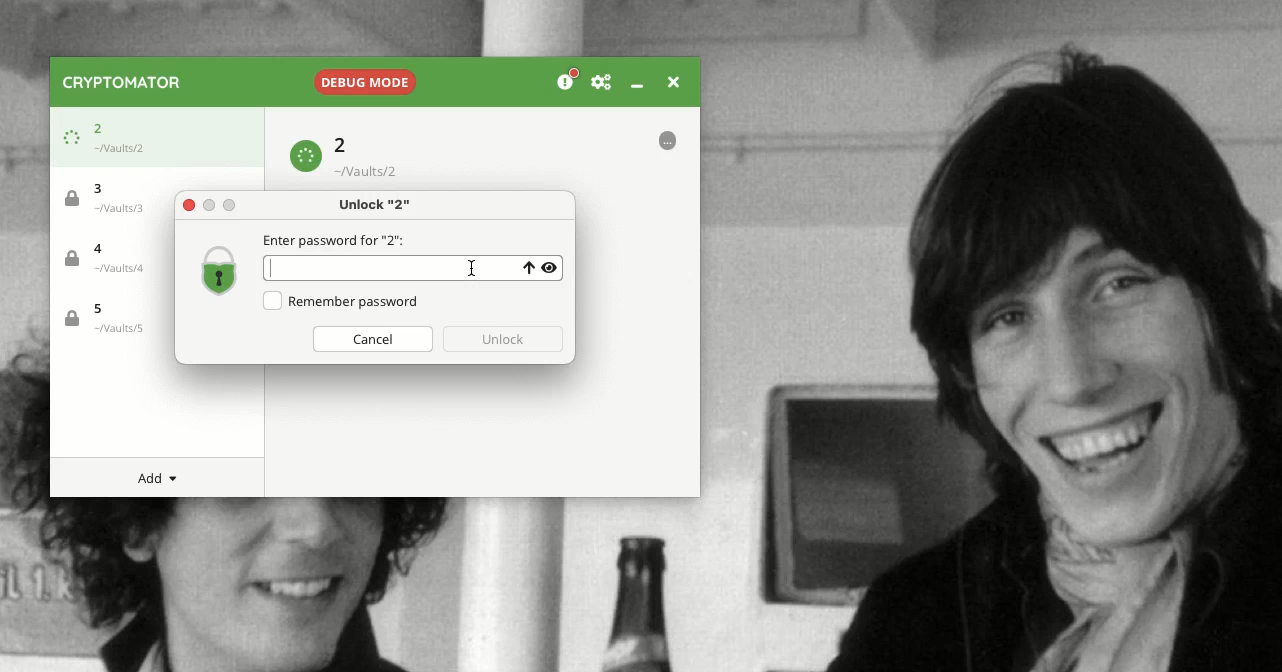 This screenshot has height=672, width=1282. What do you see at coordinates (551, 267) in the screenshot?
I see `View` at bounding box center [551, 267].